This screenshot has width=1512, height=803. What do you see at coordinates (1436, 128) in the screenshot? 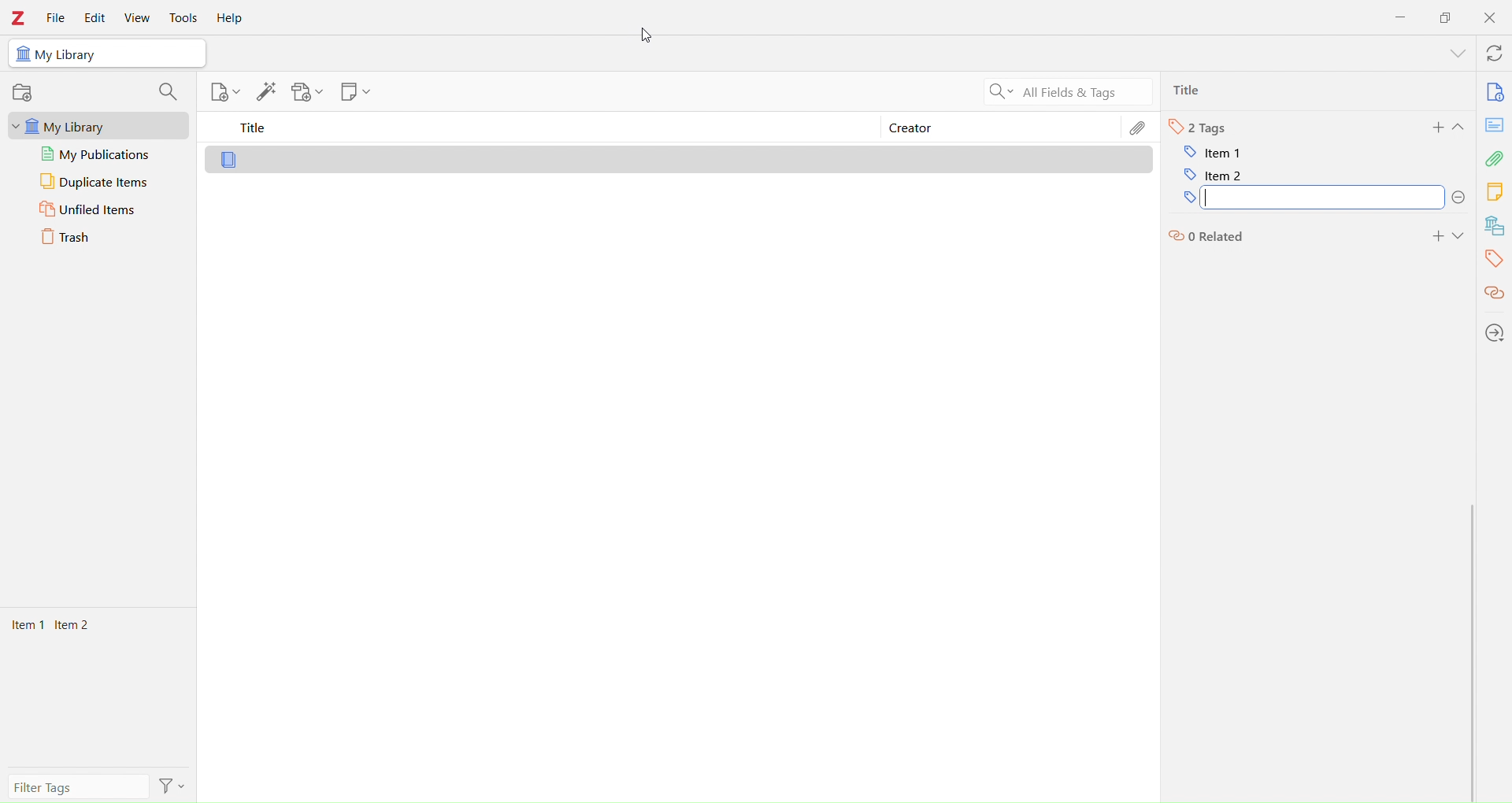
I see `` at bounding box center [1436, 128].